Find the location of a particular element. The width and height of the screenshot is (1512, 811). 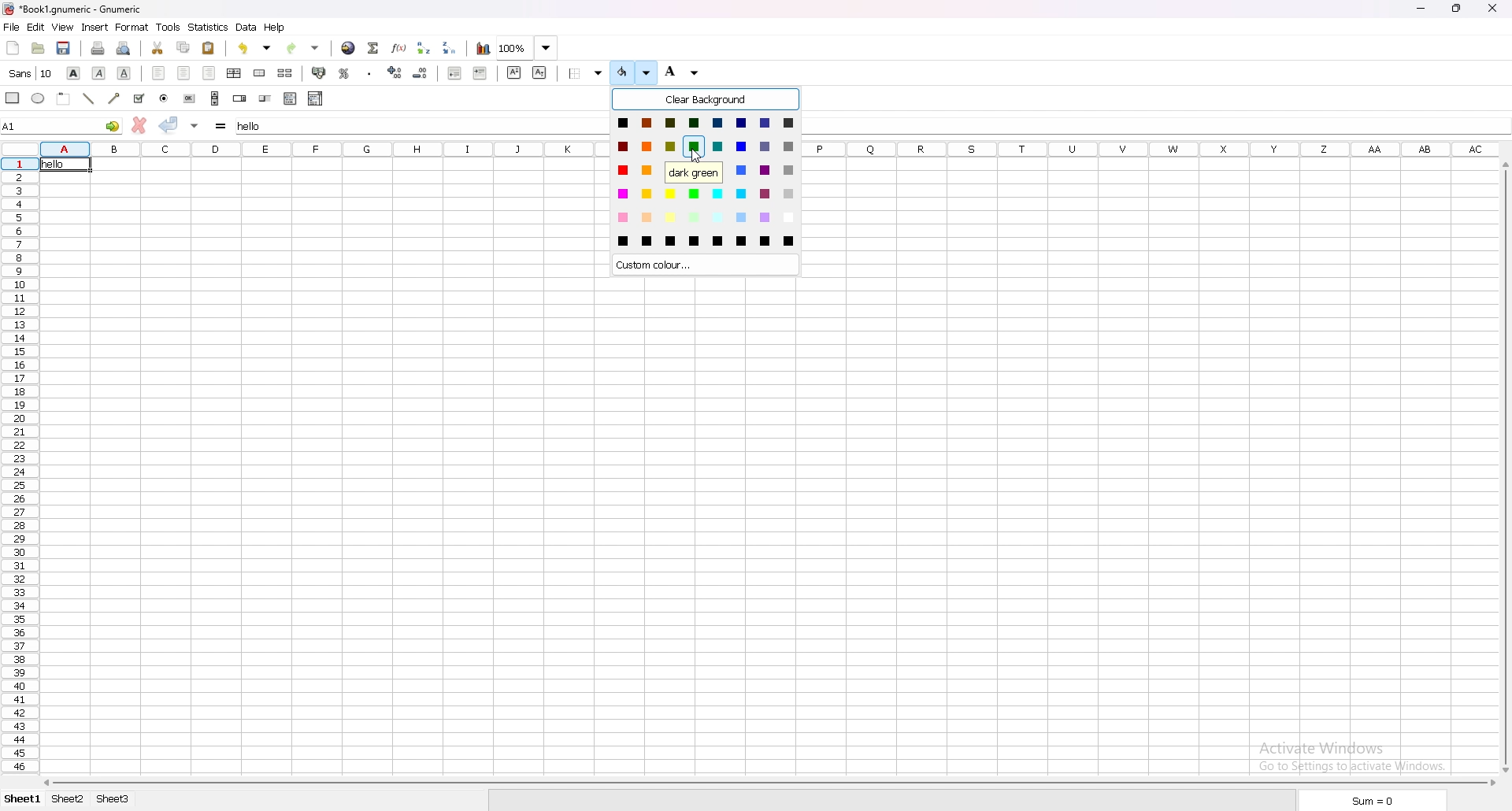

save is located at coordinates (64, 48).